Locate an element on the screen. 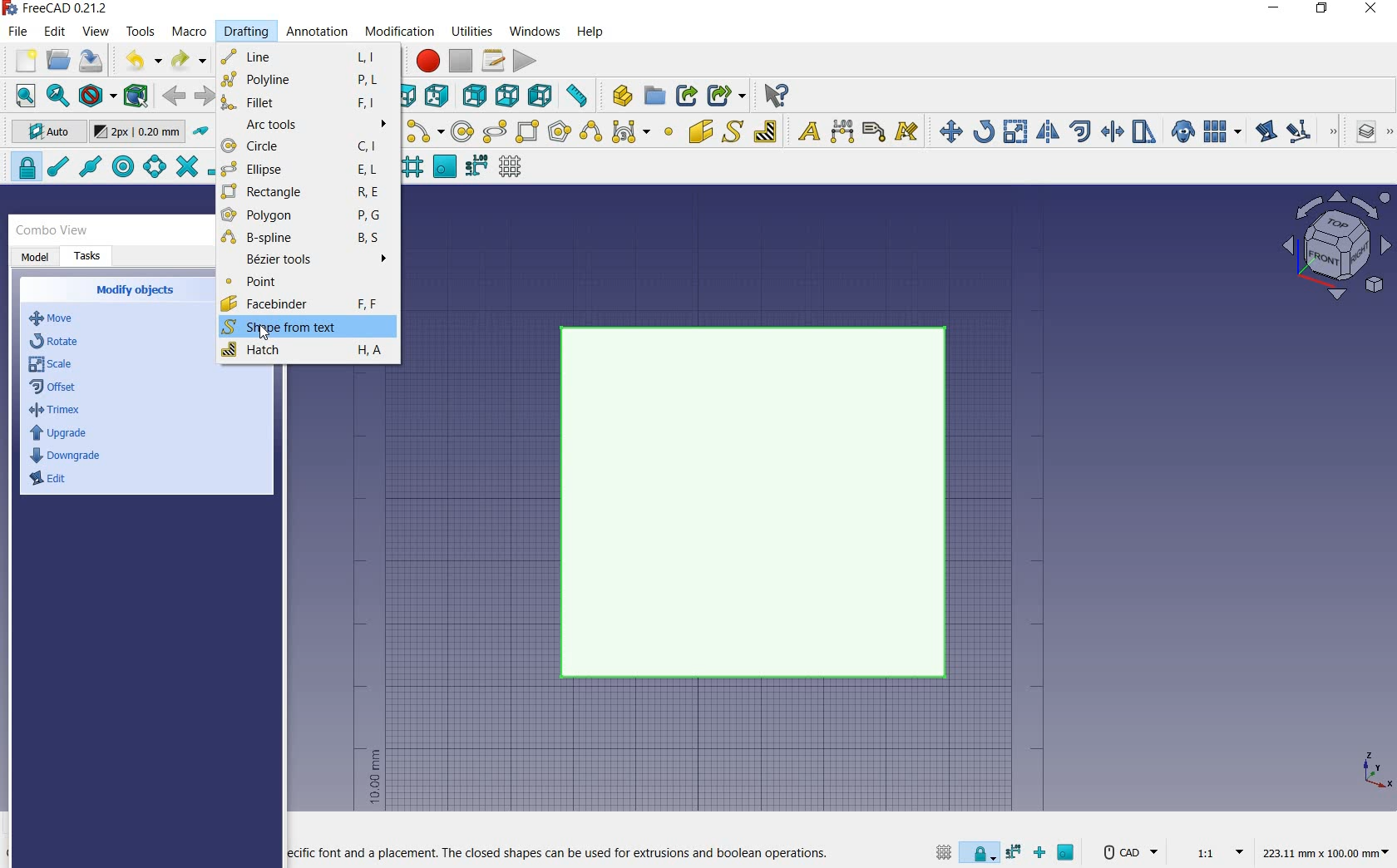  arc tools is located at coordinates (425, 132).